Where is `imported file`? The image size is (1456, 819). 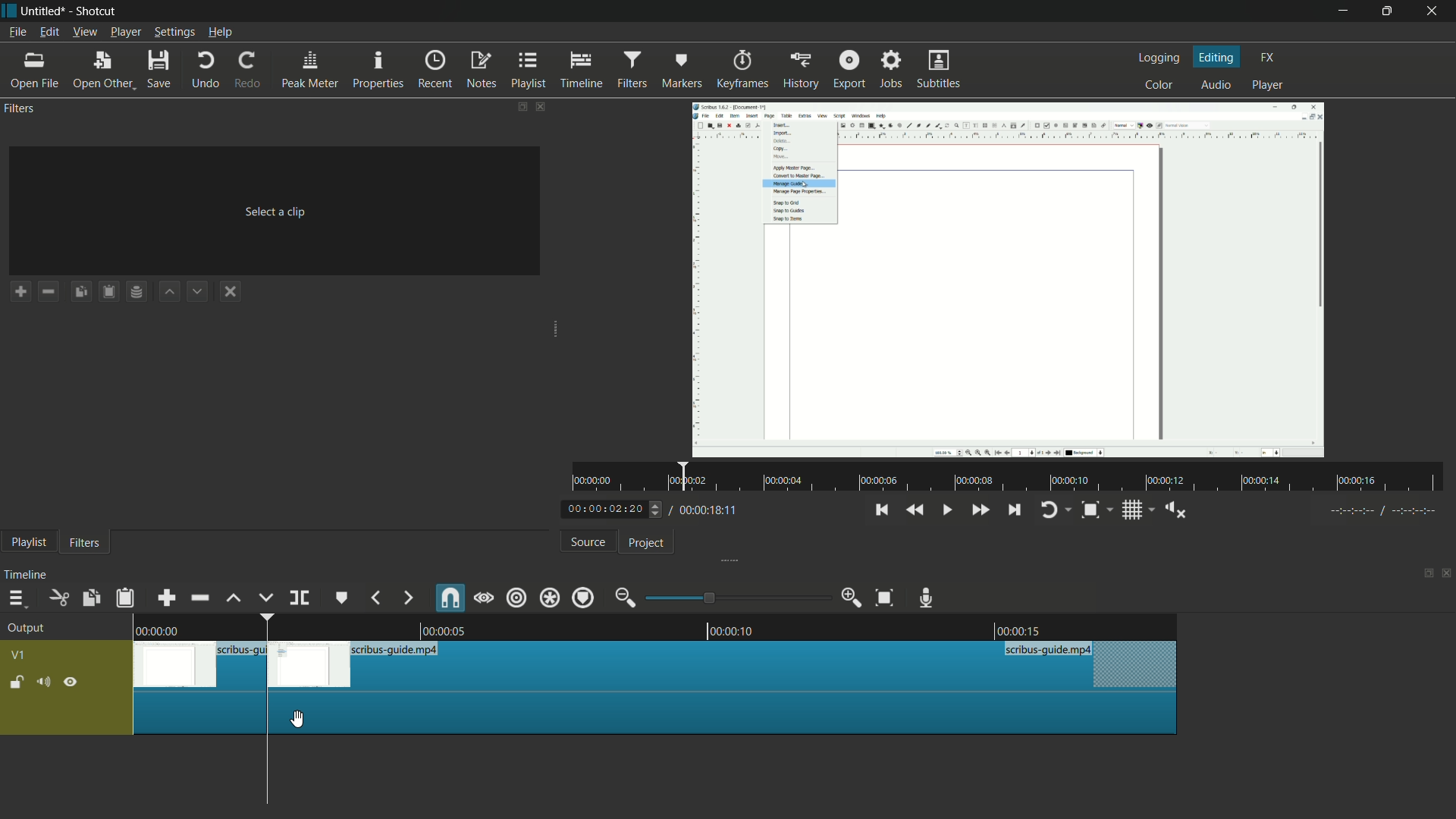 imported file is located at coordinates (1009, 279).